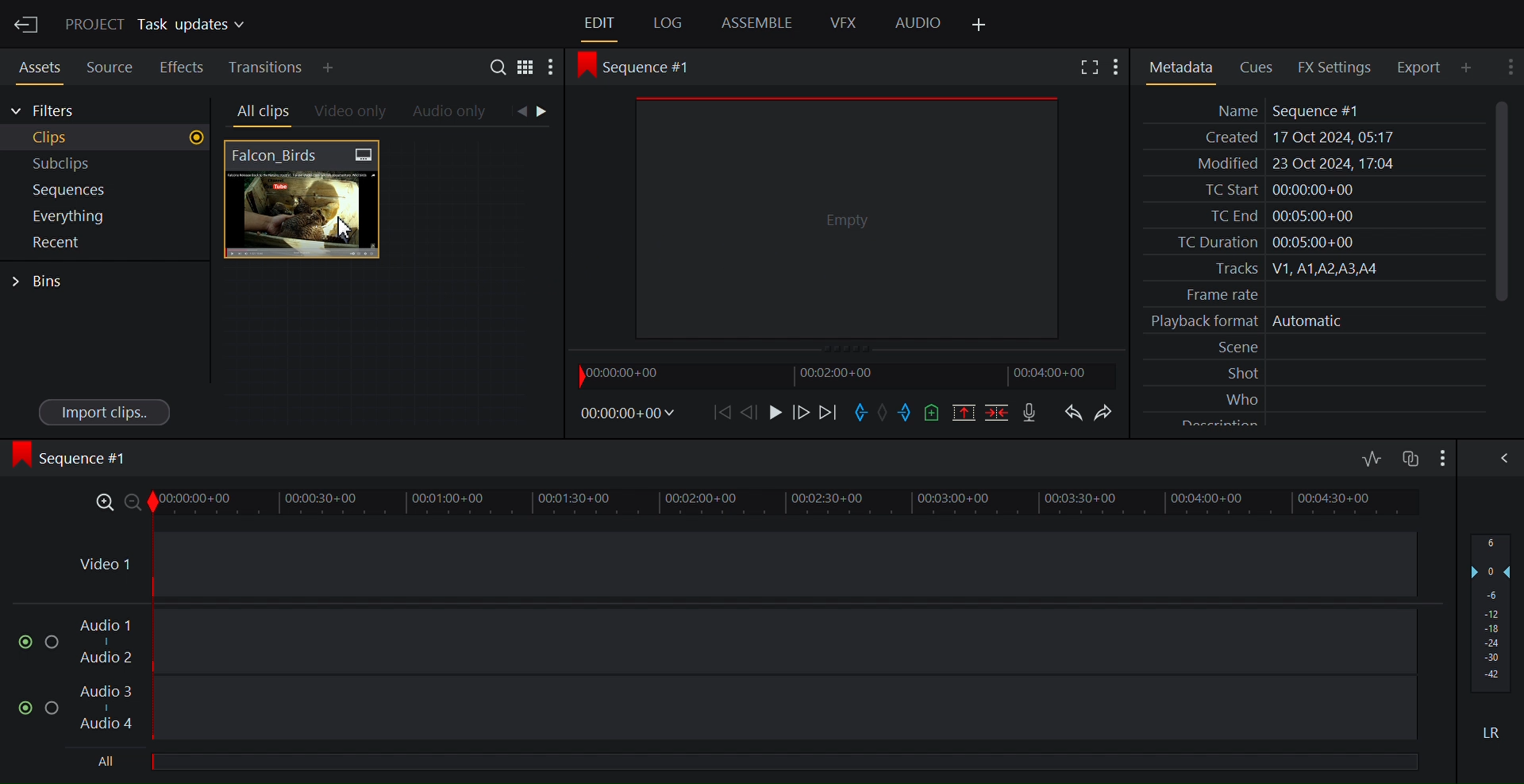 This screenshot has width=1524, height=784. Describe the element at coordinates (1312, 243) in the screenshot. I see `TC Duration` at that location.